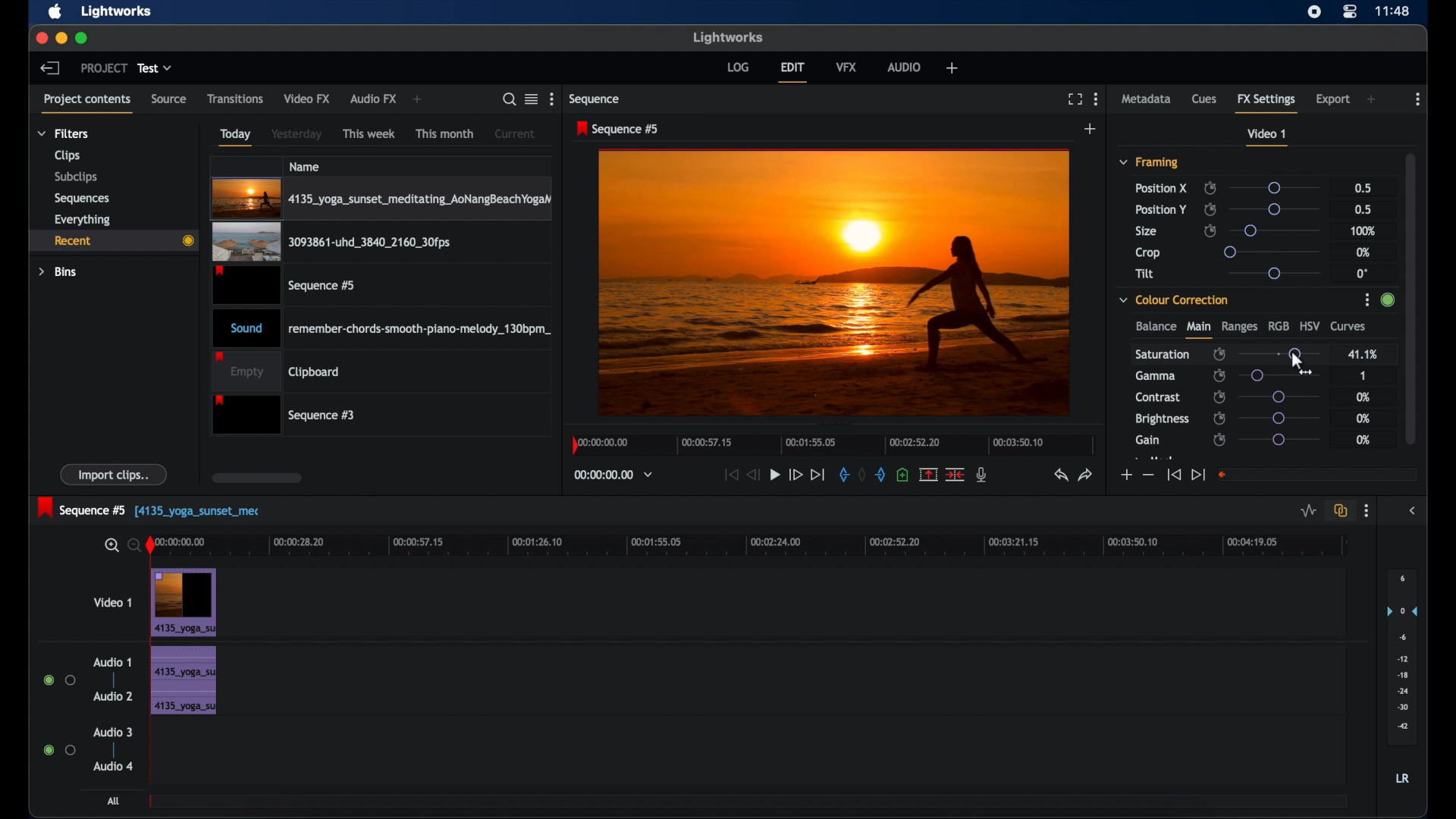 This screenshot has width=1456, height=819. Describe the element at coordinates (532, 99) in the screenshot. I see `toggle list or tile view` at that location.